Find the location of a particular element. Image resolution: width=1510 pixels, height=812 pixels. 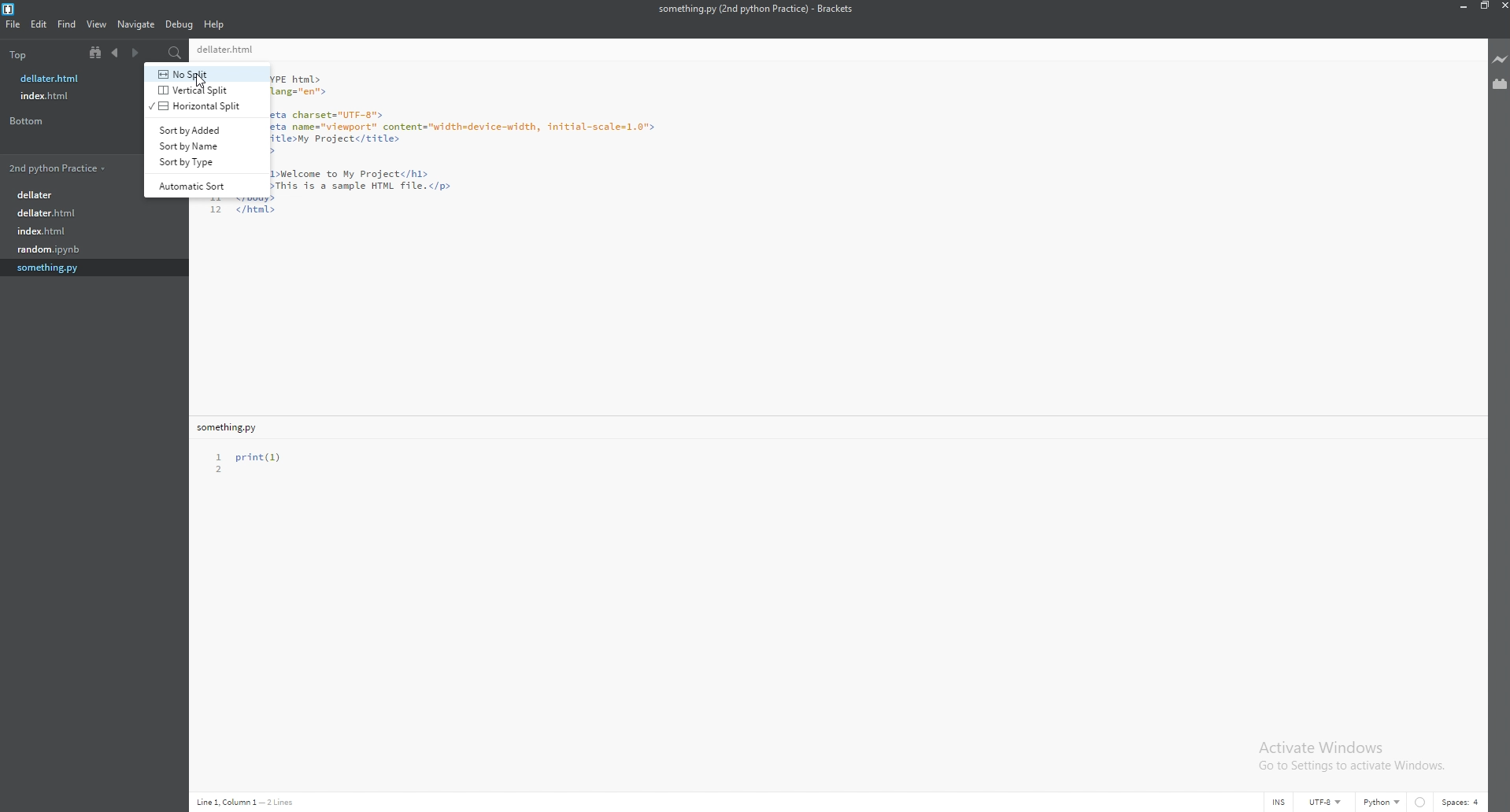

help is located at coordinates (215, 24).